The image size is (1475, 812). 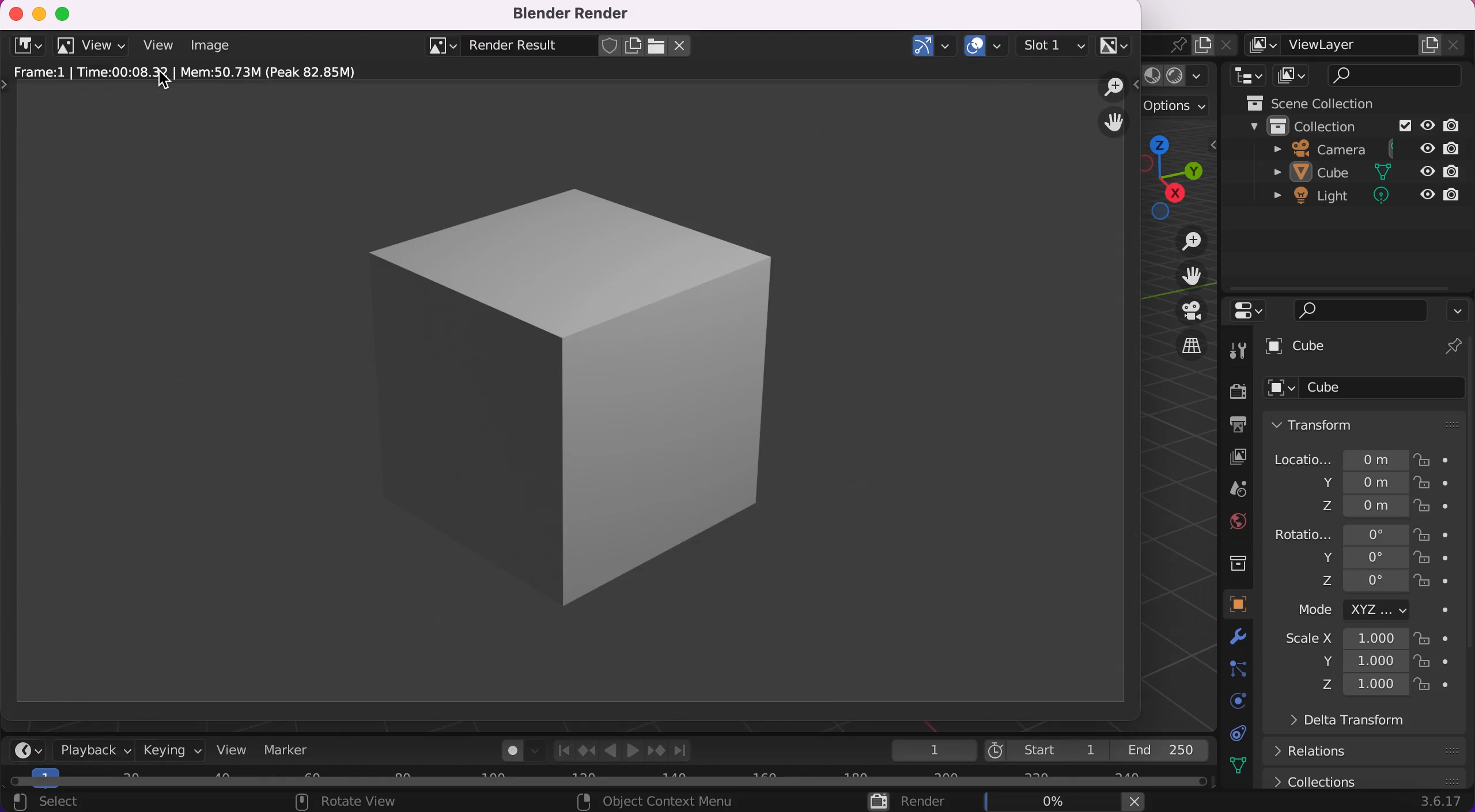 What do you see at coordinates (1292, 76) in the screenshot?
I see `display mode` at bounding box center [1292, 76].